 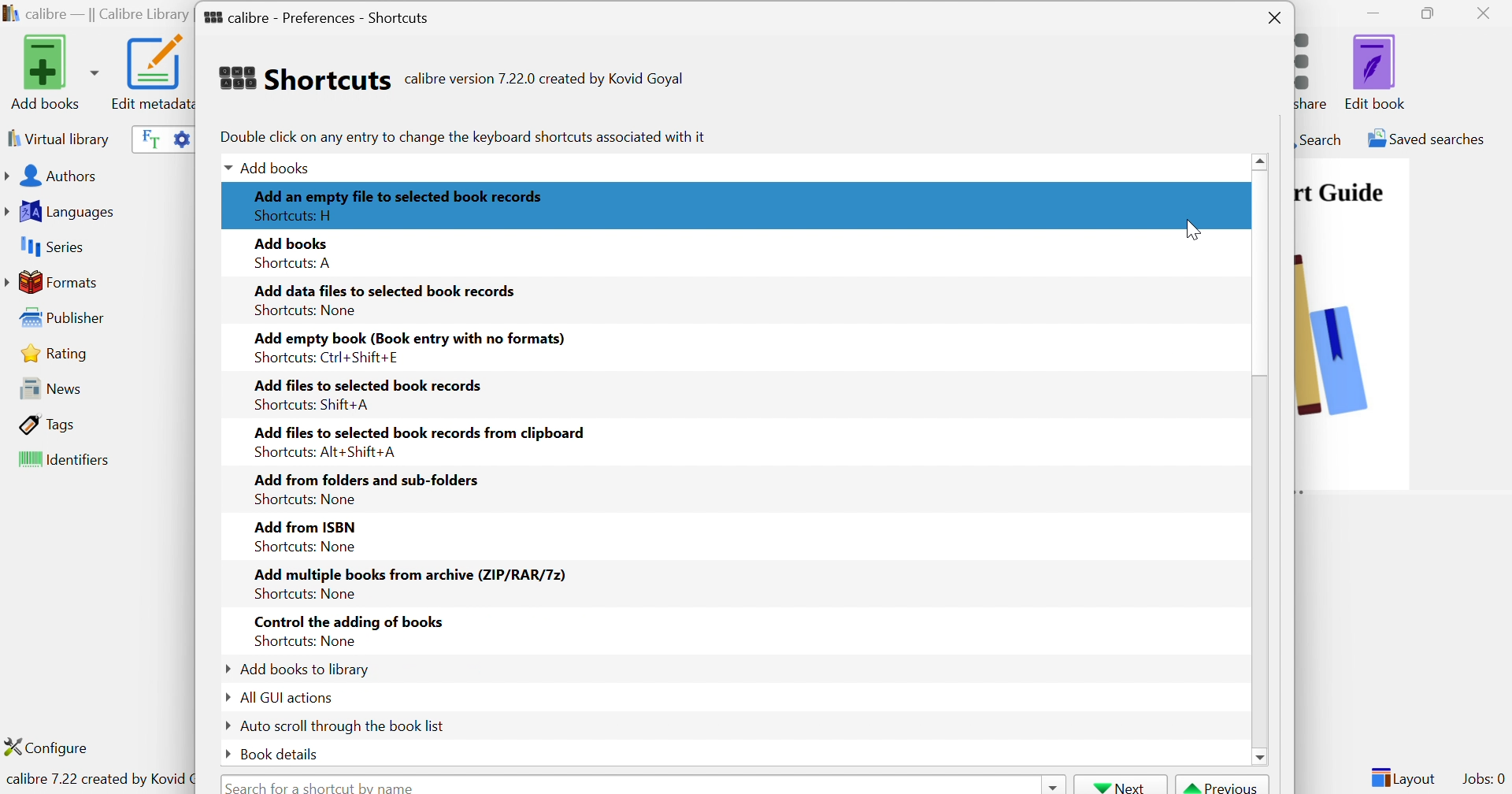 What do you see at coordinates (399, 195) in the screenshot?
I see `Add an empty file to selected book records` at bounding box center [399, 195].